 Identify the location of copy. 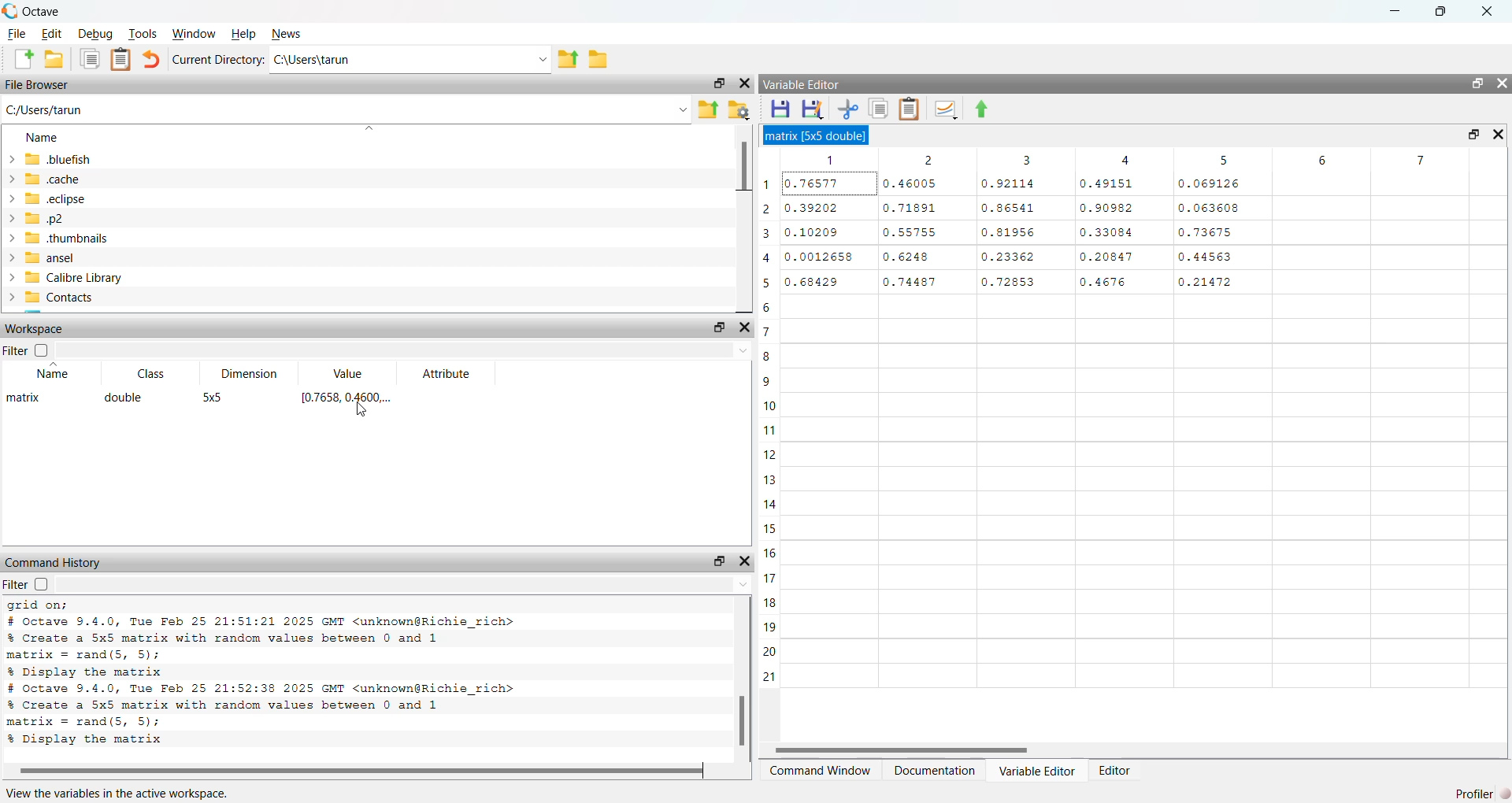
(90, 59).